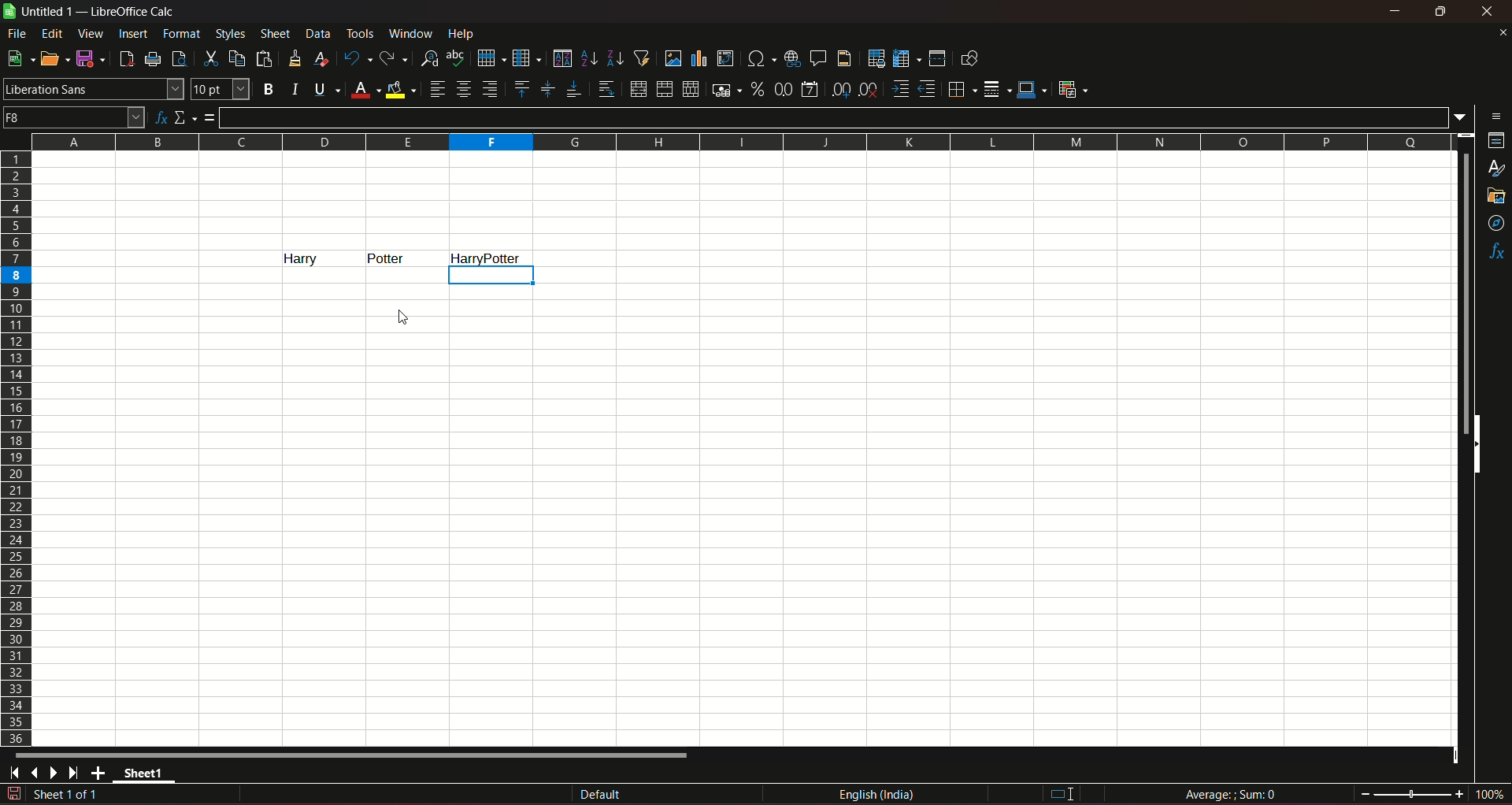 This screenshot has width=1512, height=805. Describe the element at coordinates (880, 795) in the screenshot. I see `language` at that location.